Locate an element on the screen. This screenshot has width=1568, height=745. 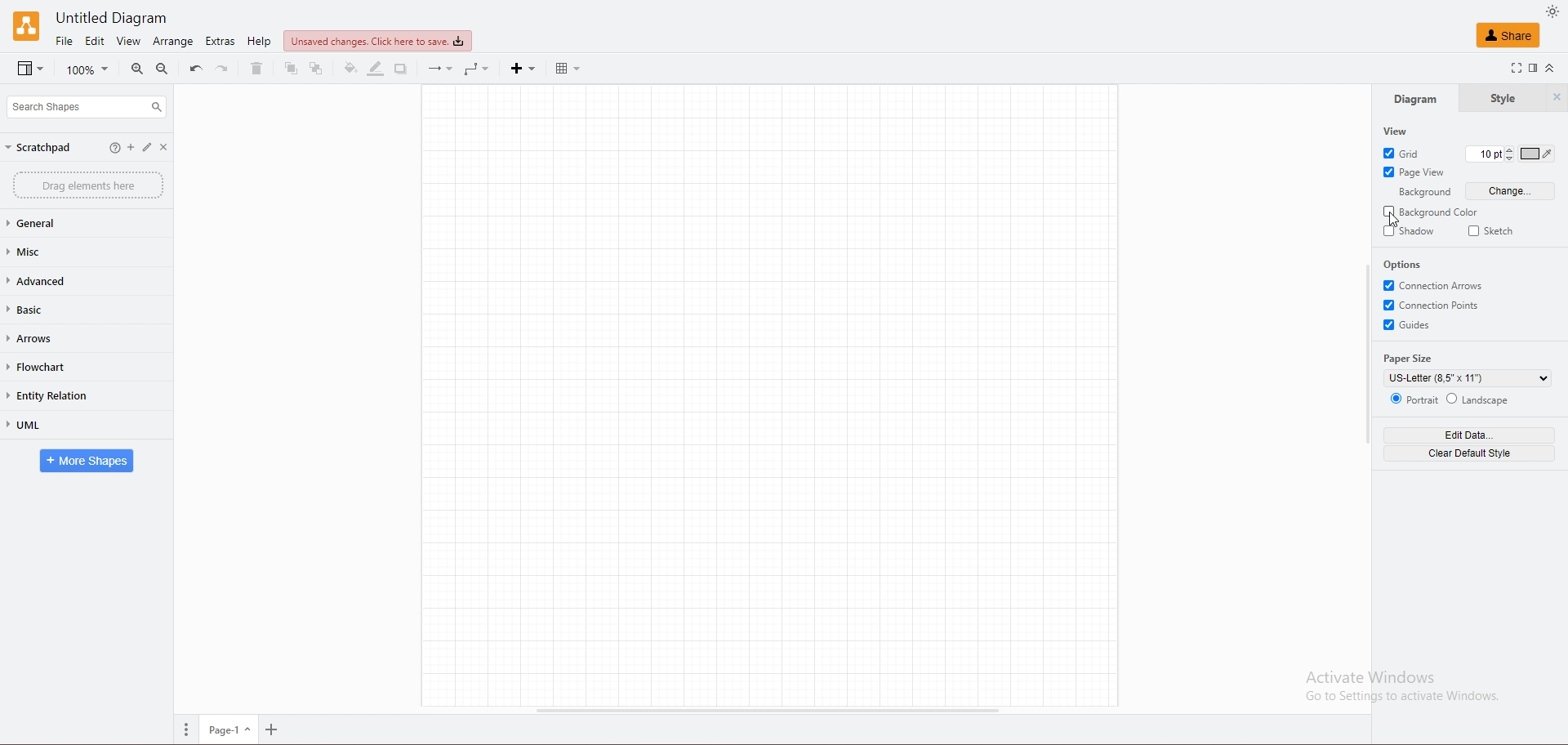
 is located at coordinates (114, 148).